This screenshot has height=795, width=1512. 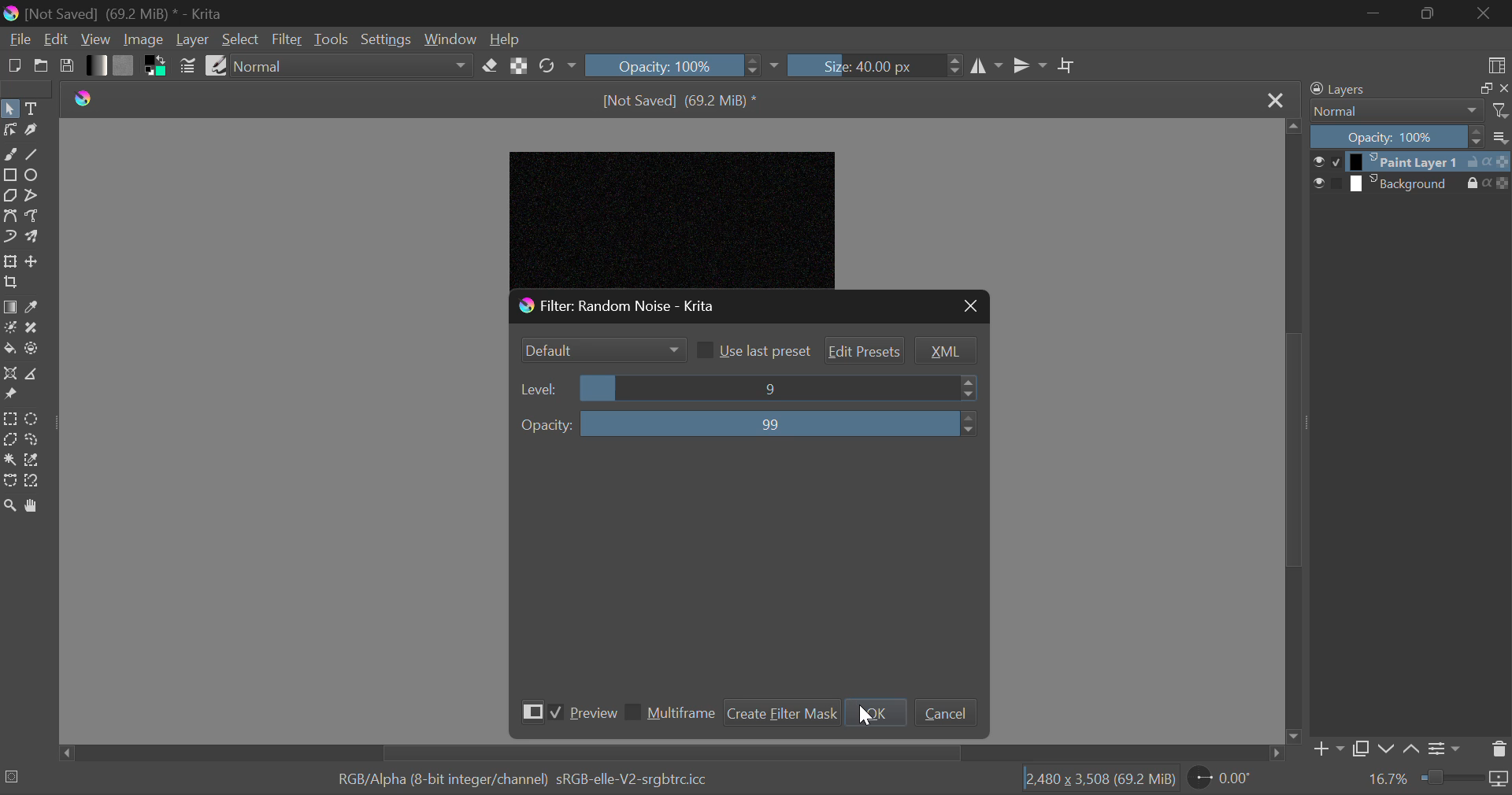 I want to click on filter, so click(x=1501, y=110).